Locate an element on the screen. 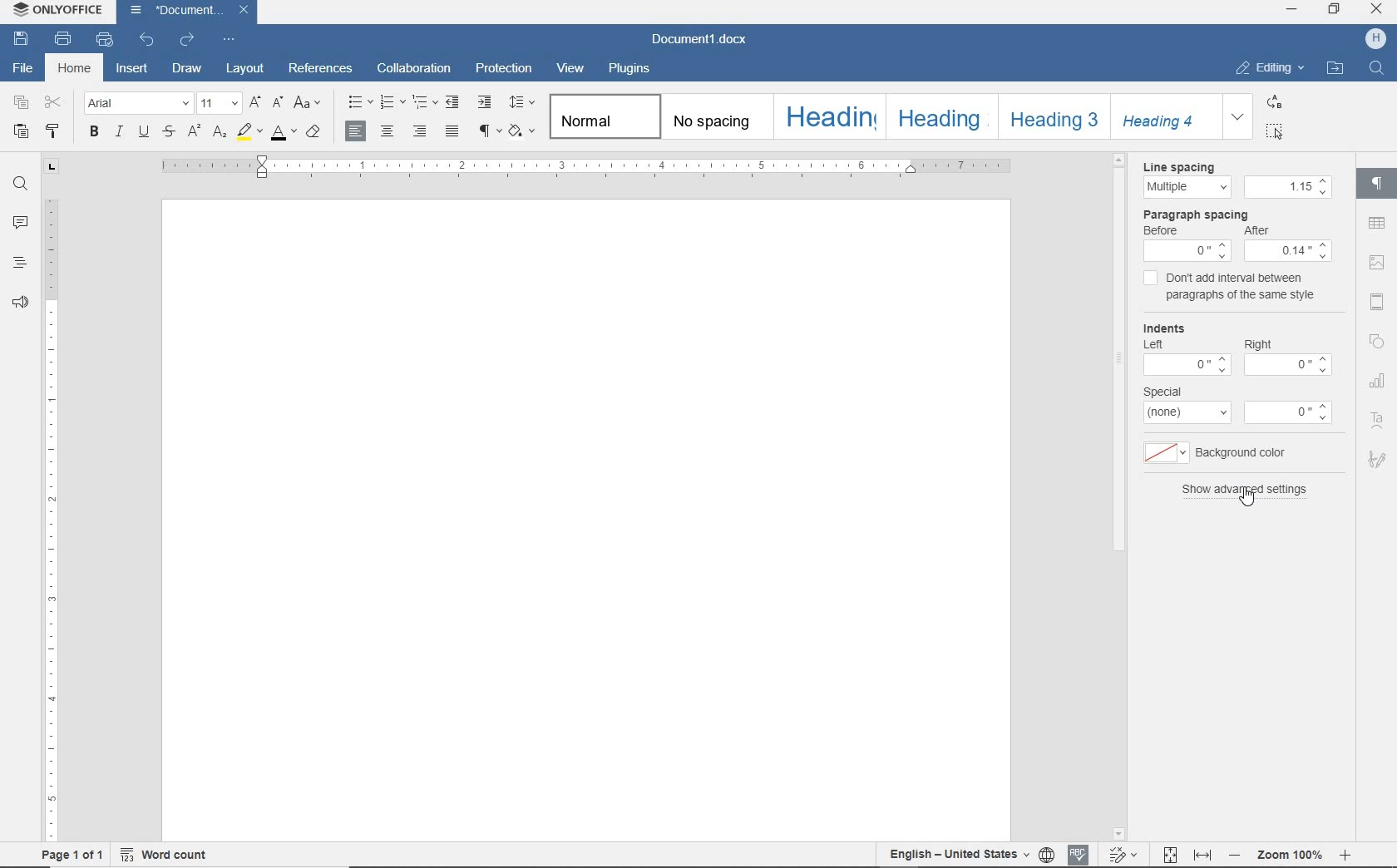 Image resolution: width=1397 pixels, height=868 pixels. MINIMIZE is located at coordinates (1292, 9).